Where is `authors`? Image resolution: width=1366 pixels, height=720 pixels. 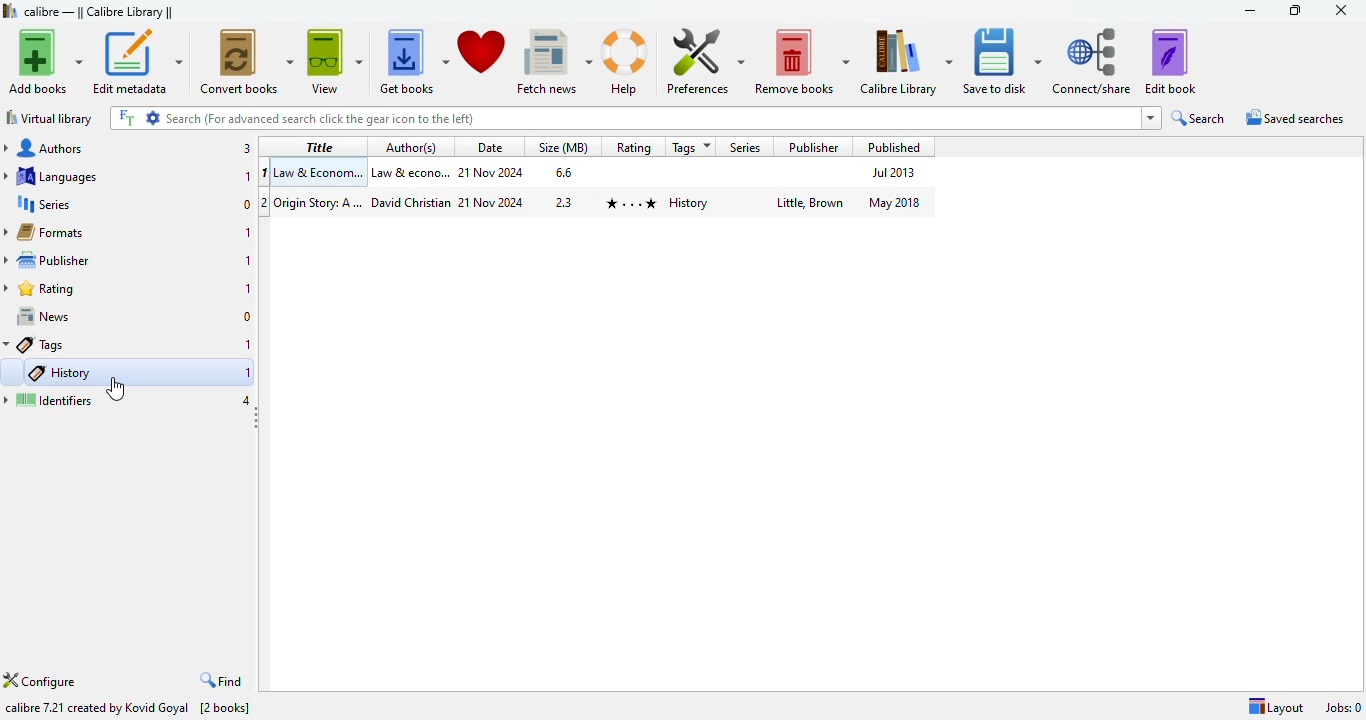 authors is located at coordinates (46, 147).